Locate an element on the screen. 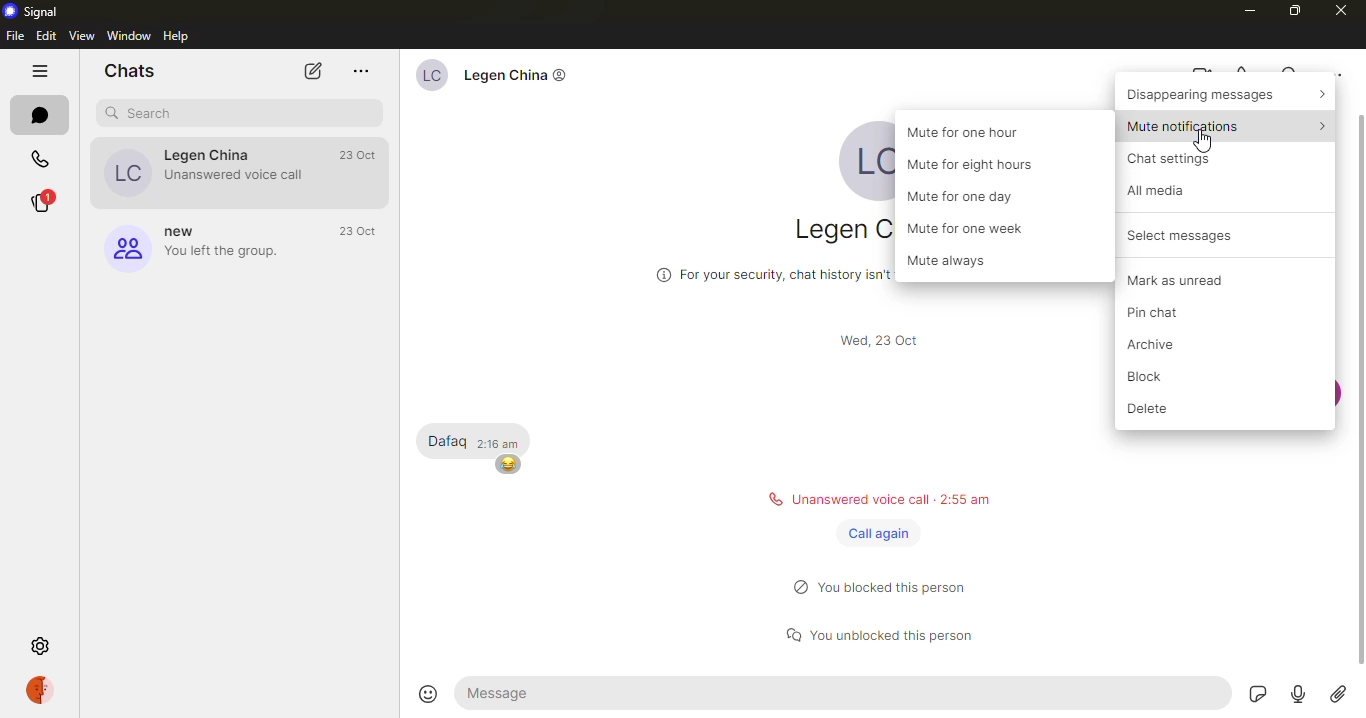 The width and height of the screenshot is (1366, 718). signal is located at coordinates (38, 10).